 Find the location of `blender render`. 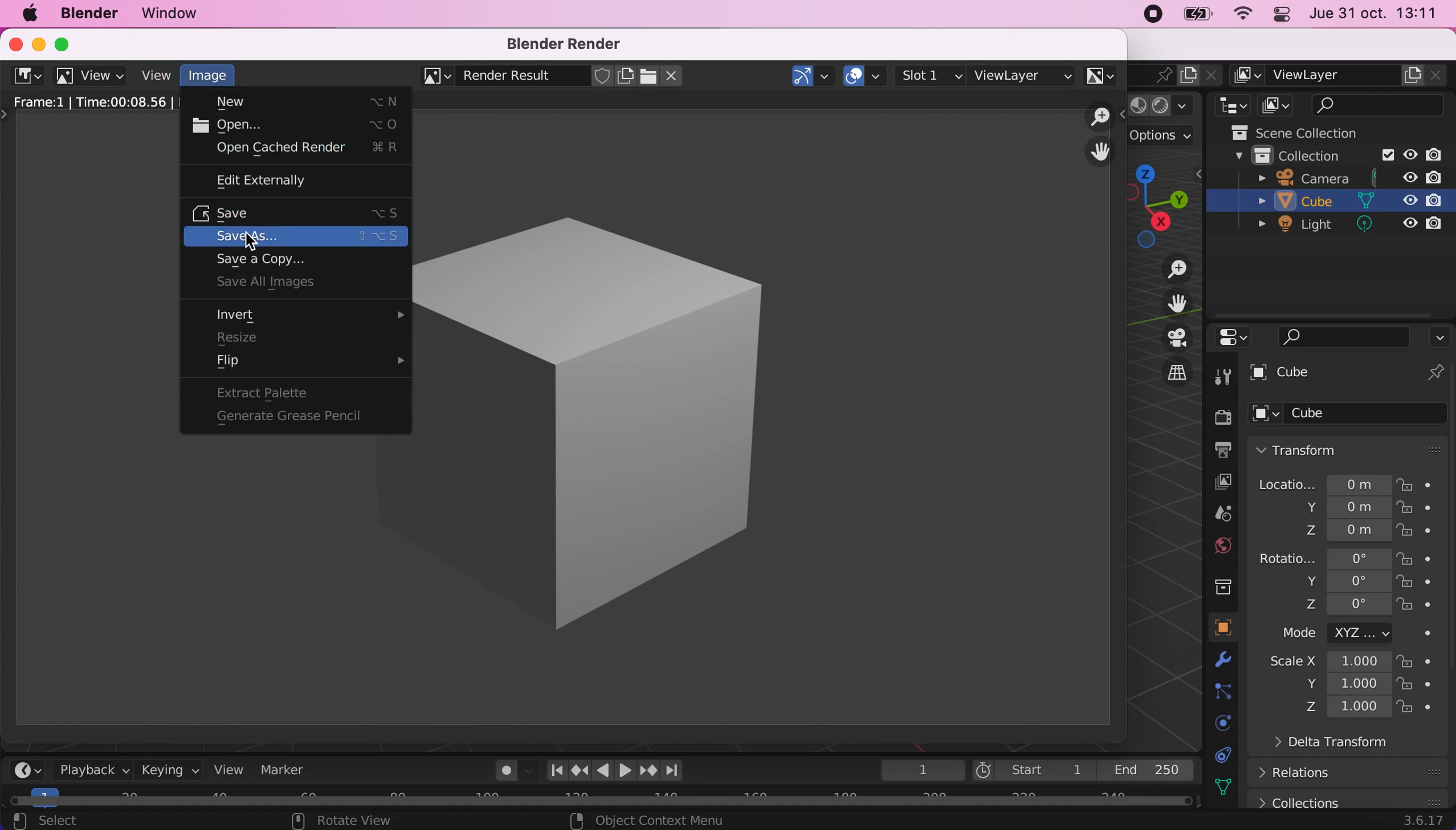

blender render is located at coordinates (569, 44).